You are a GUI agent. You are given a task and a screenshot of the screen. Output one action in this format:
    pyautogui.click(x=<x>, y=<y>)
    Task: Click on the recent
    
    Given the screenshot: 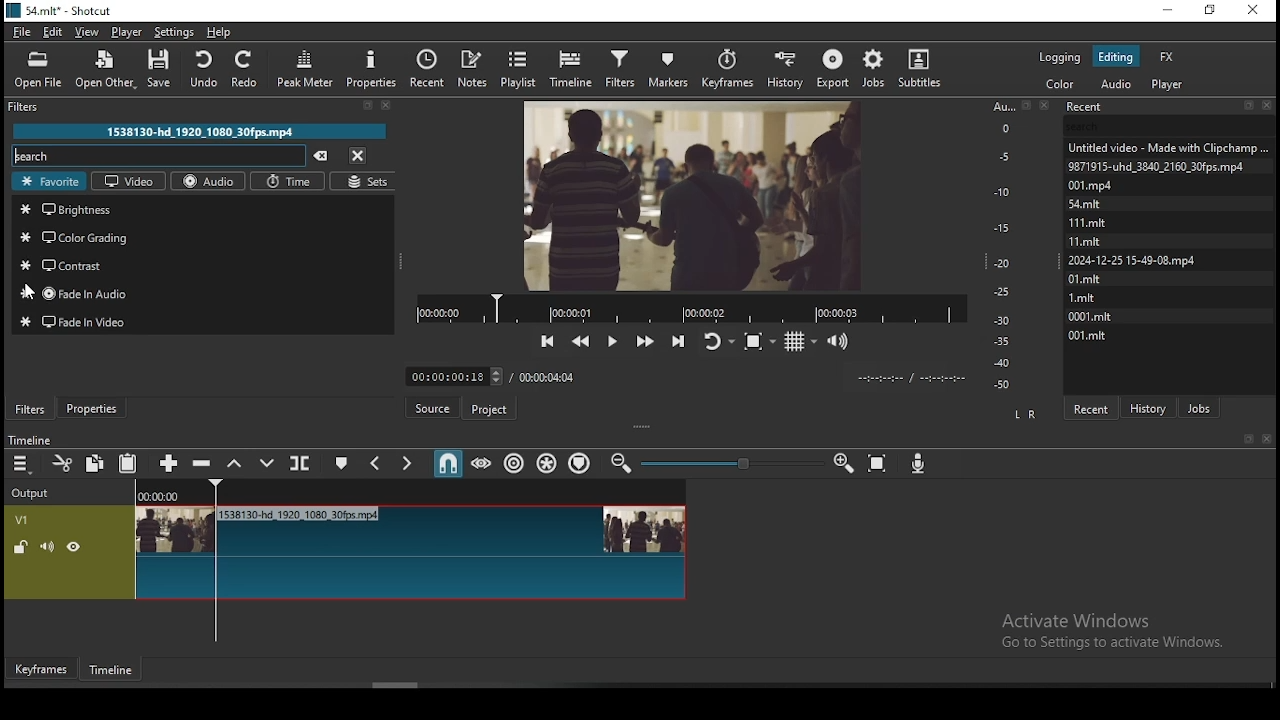 What is the action you would take?
    pyautogui.click(x=1092, y=409)
    